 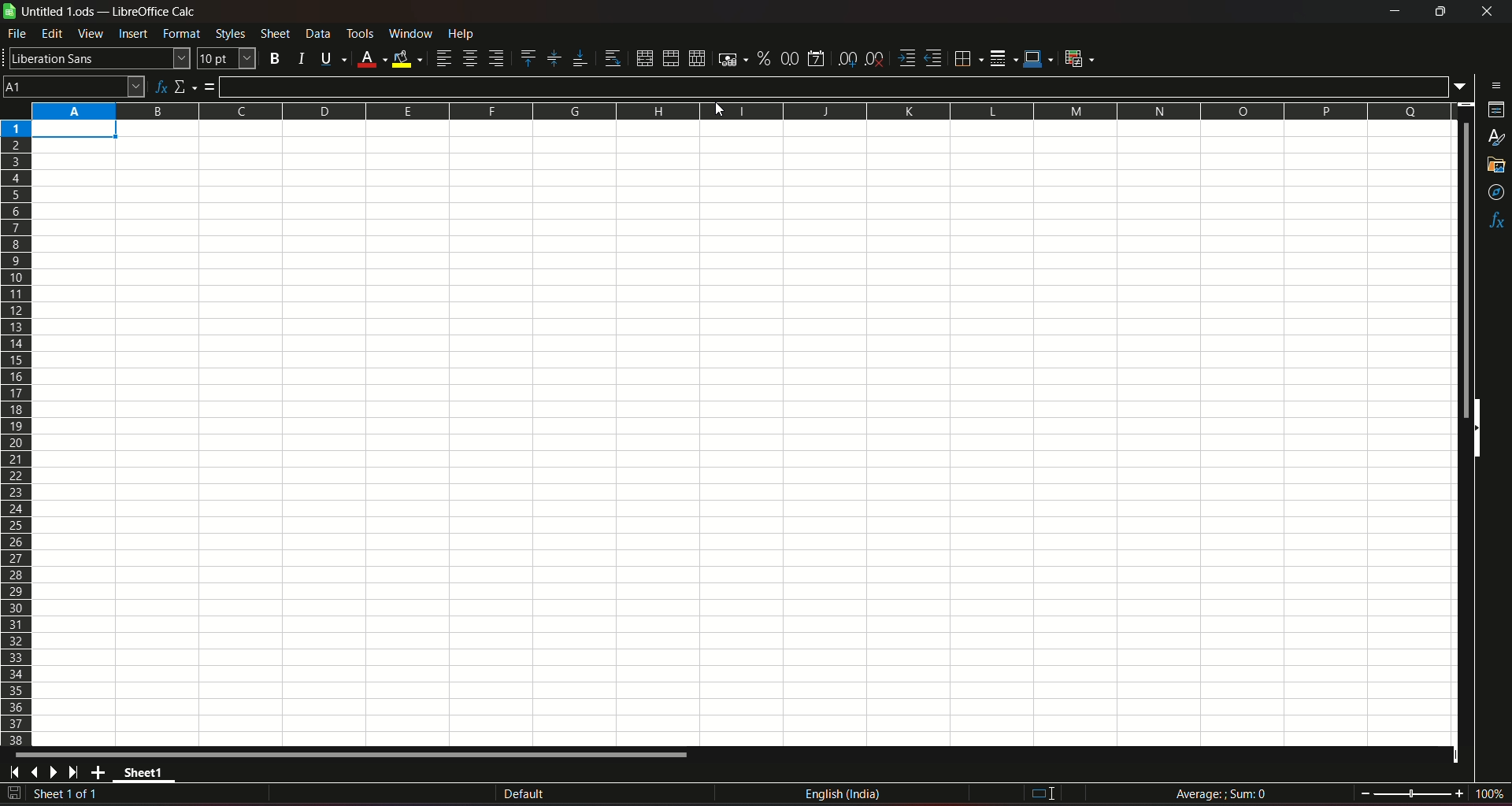 What do you see at coordinates (524, 793) in the screenshot?
I see `default` at bounding box center [524, 793].